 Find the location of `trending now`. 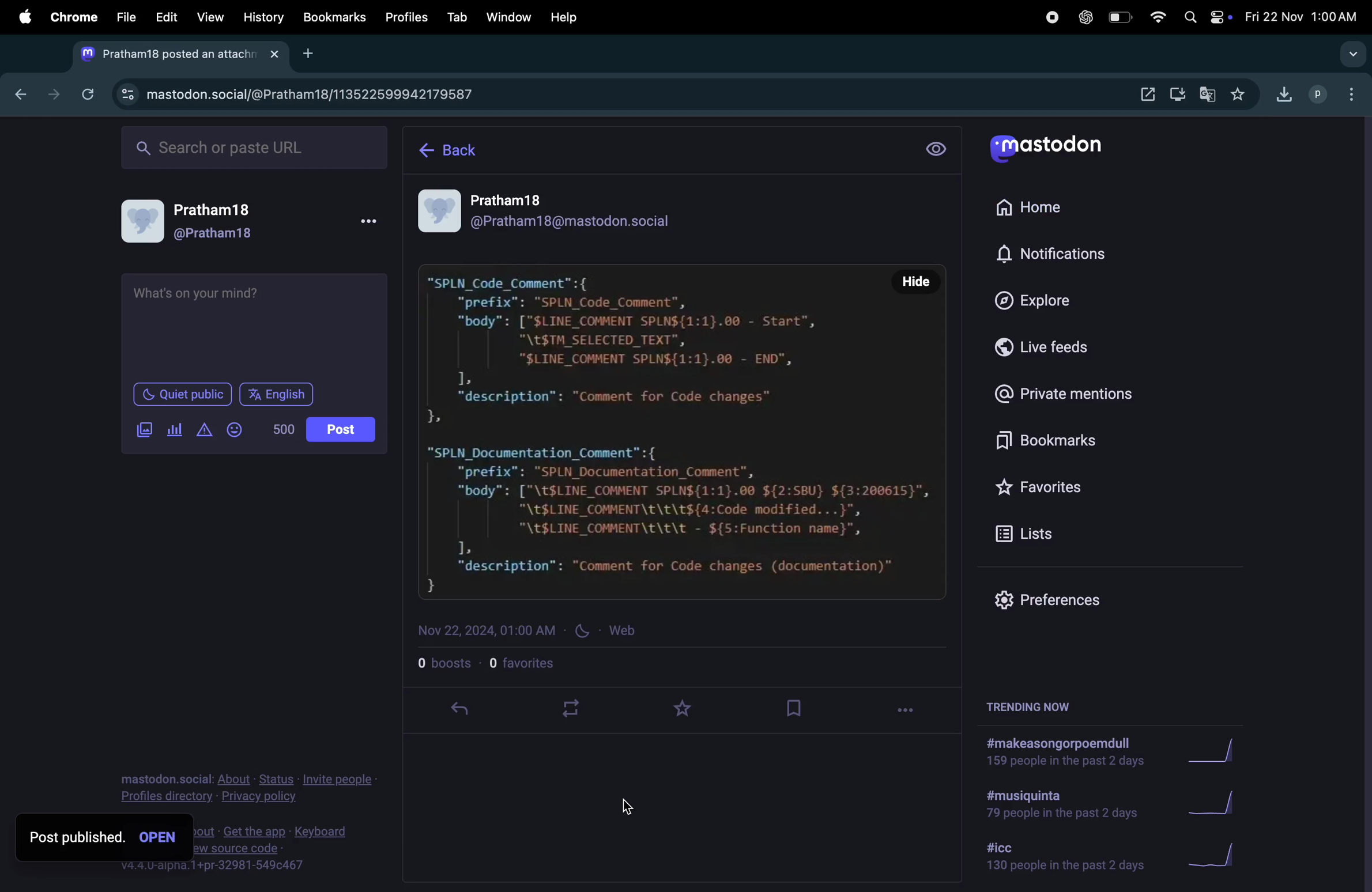

trending now is located at coordinates (1028, 709).